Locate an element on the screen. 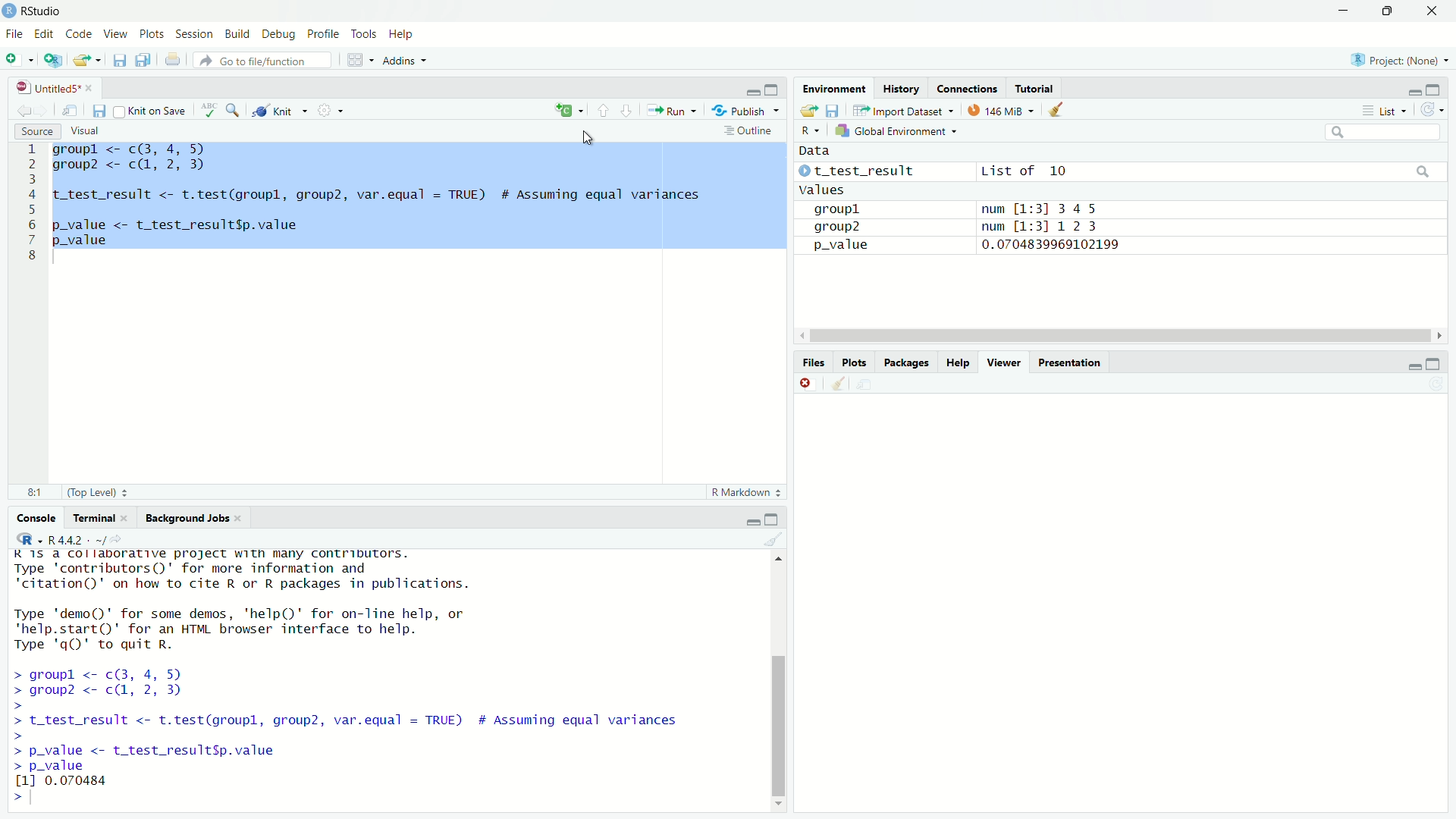 The image size is (1456, 819). Global Environment is located at coordinates (898, 131).